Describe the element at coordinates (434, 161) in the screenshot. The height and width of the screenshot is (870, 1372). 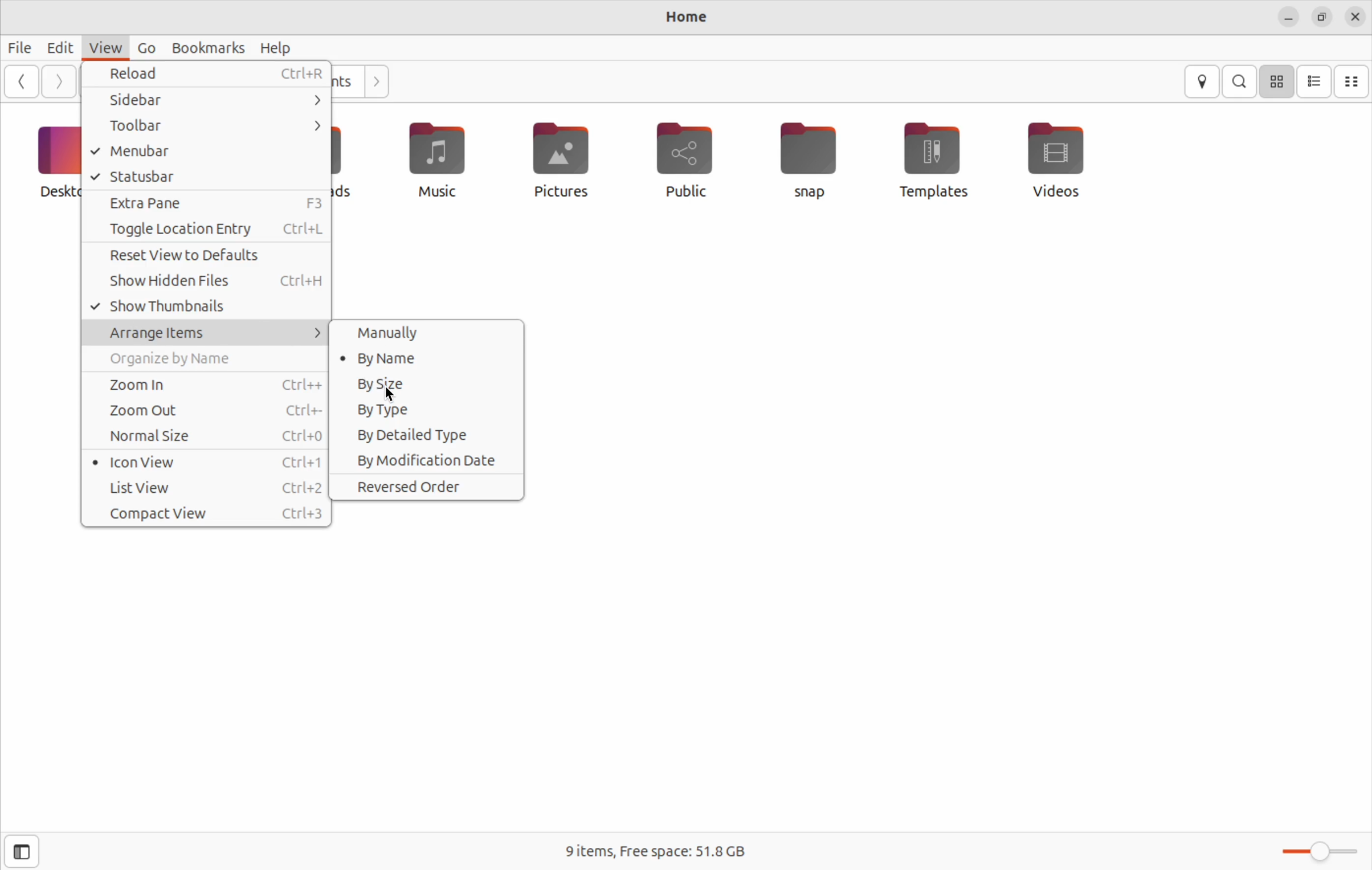
I see `music` at that location.